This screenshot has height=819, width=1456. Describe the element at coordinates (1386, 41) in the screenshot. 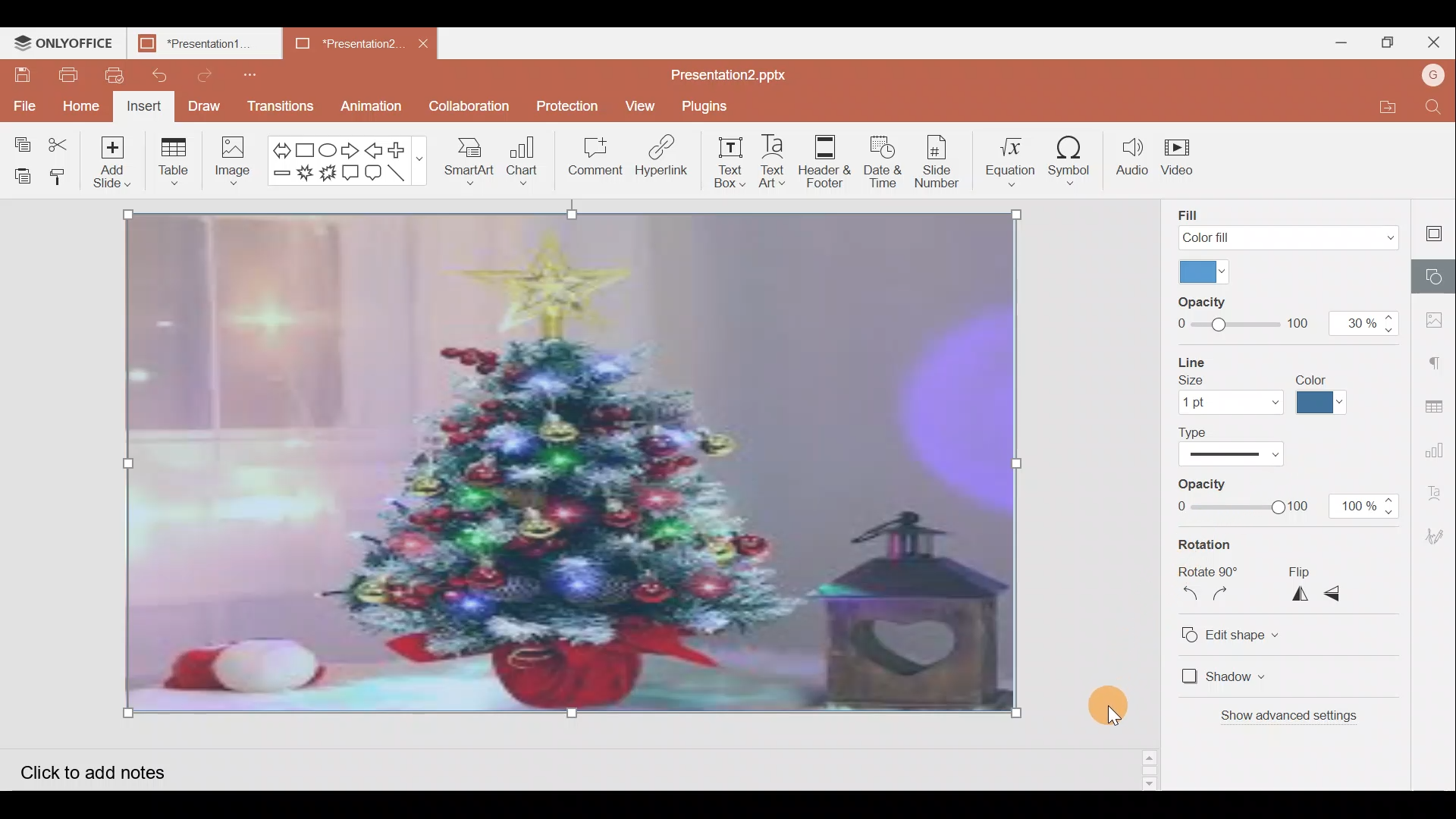

I see `Maximize` at that location.